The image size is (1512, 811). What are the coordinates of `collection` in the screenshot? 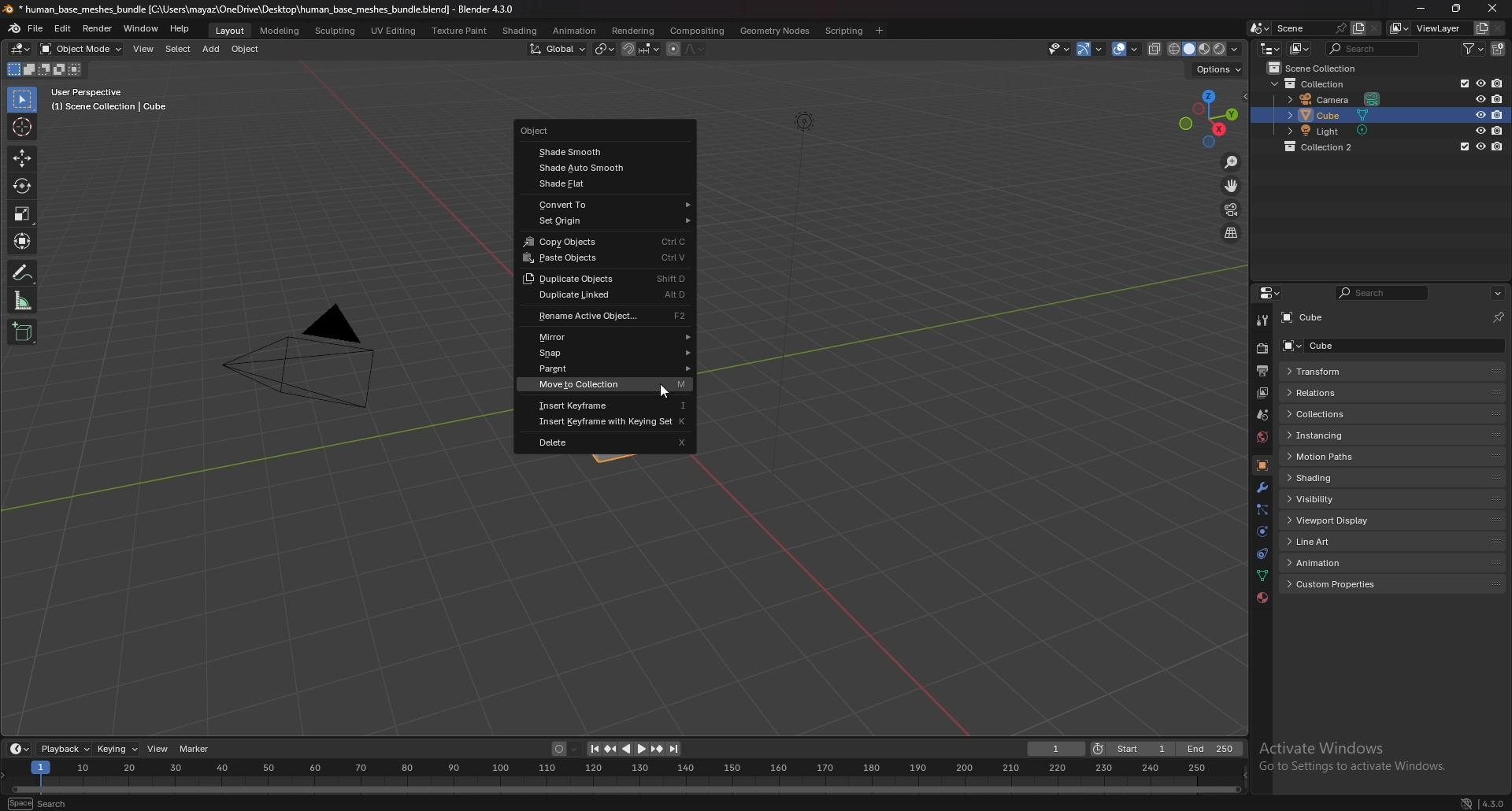 It's located at (1315, 83).